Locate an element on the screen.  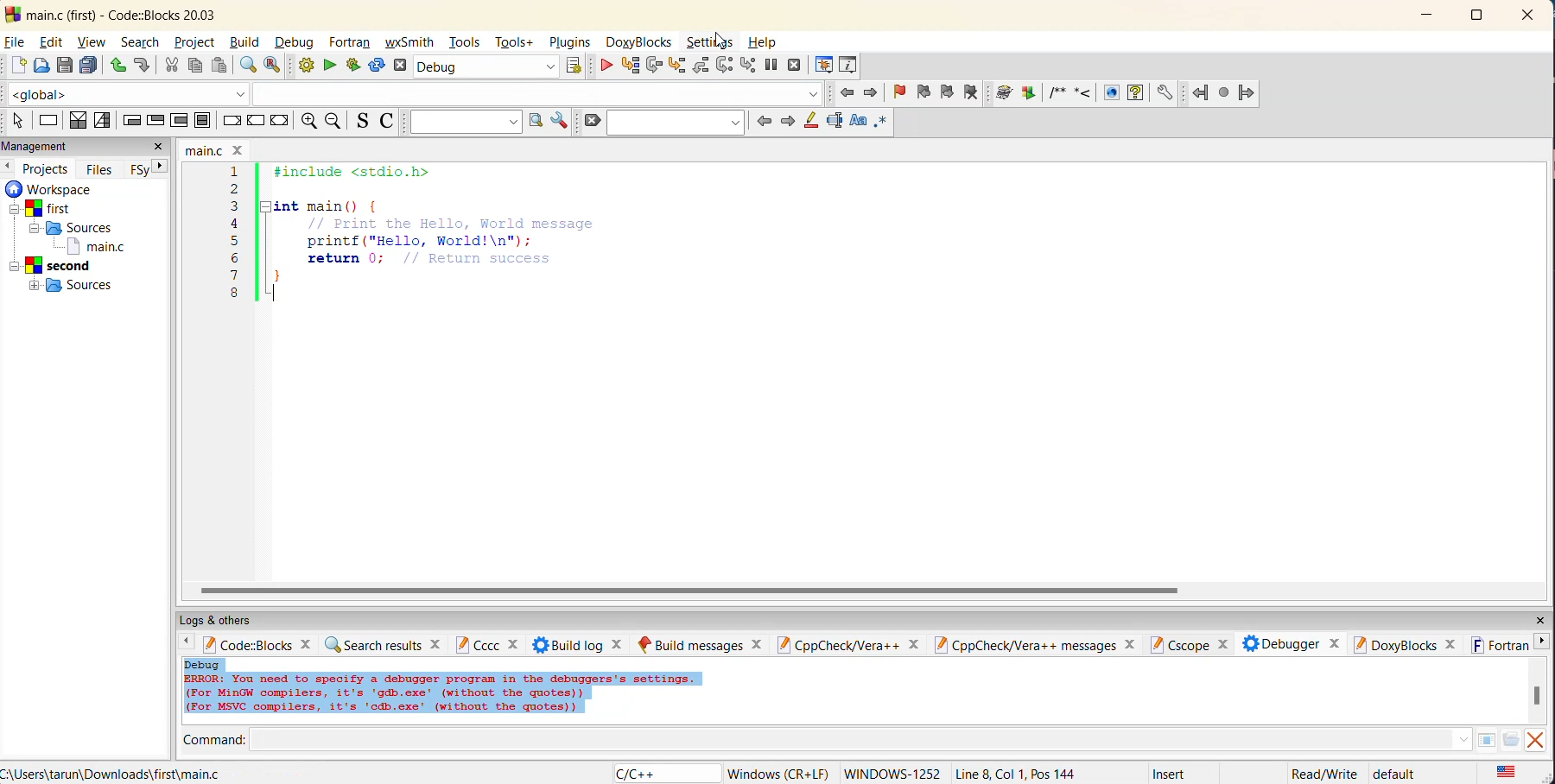
run is located at coordinates (331, 66).